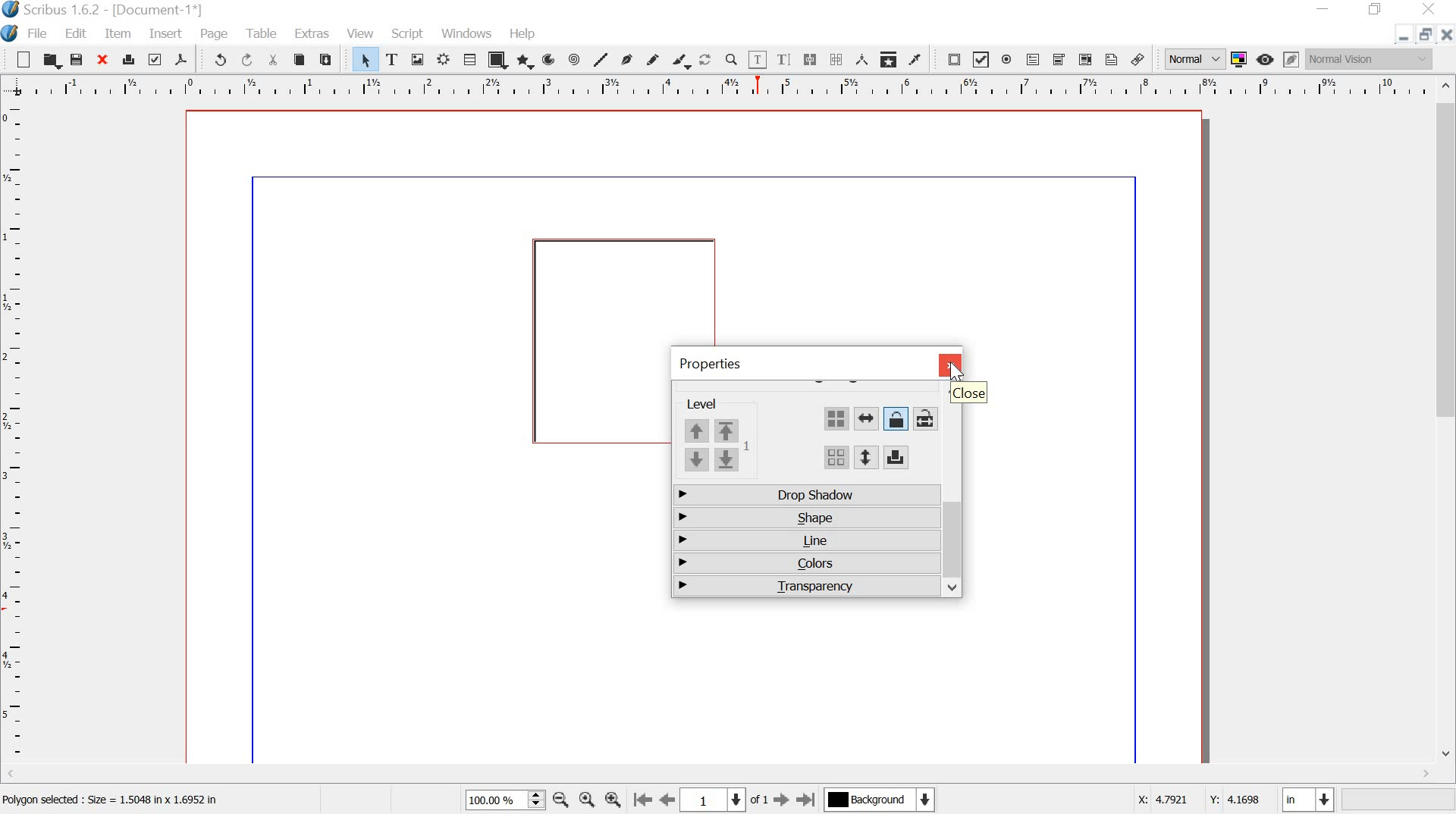  I want to click on 100.00%, so click(491, 800).